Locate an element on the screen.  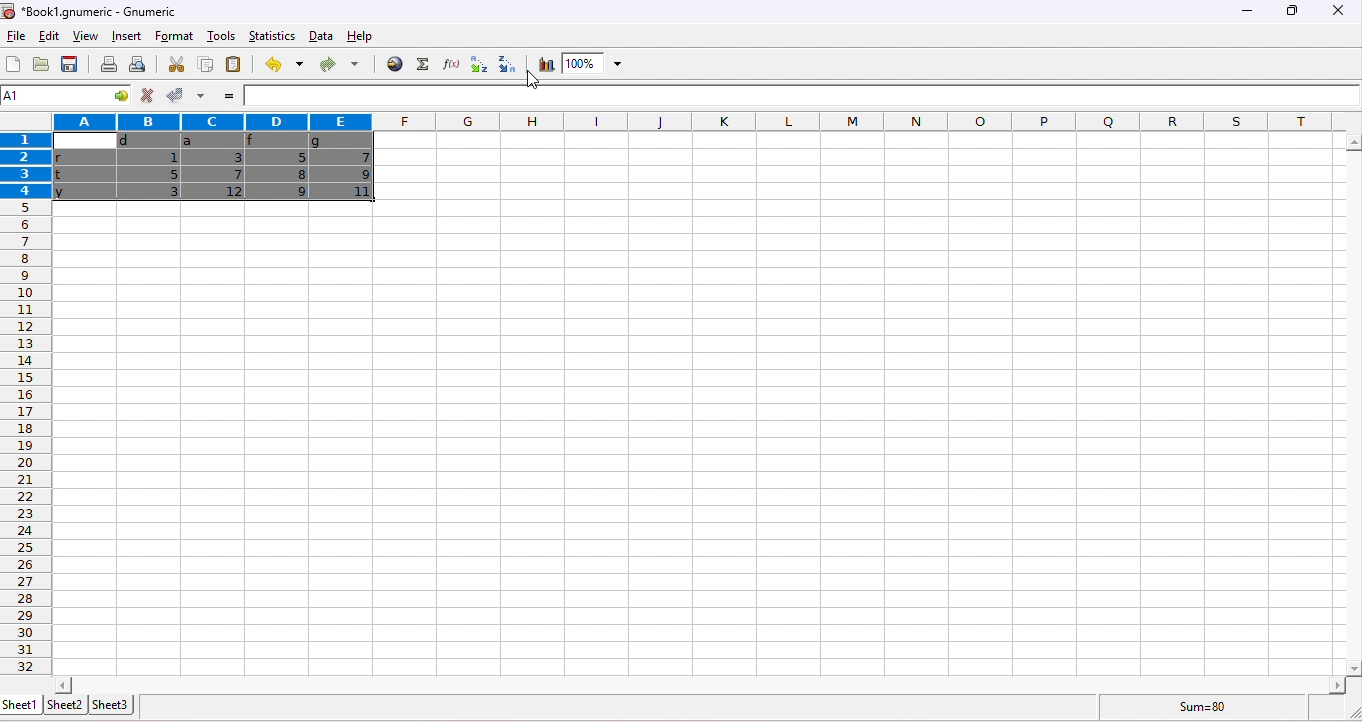
open is located at coordinates (43, 65).